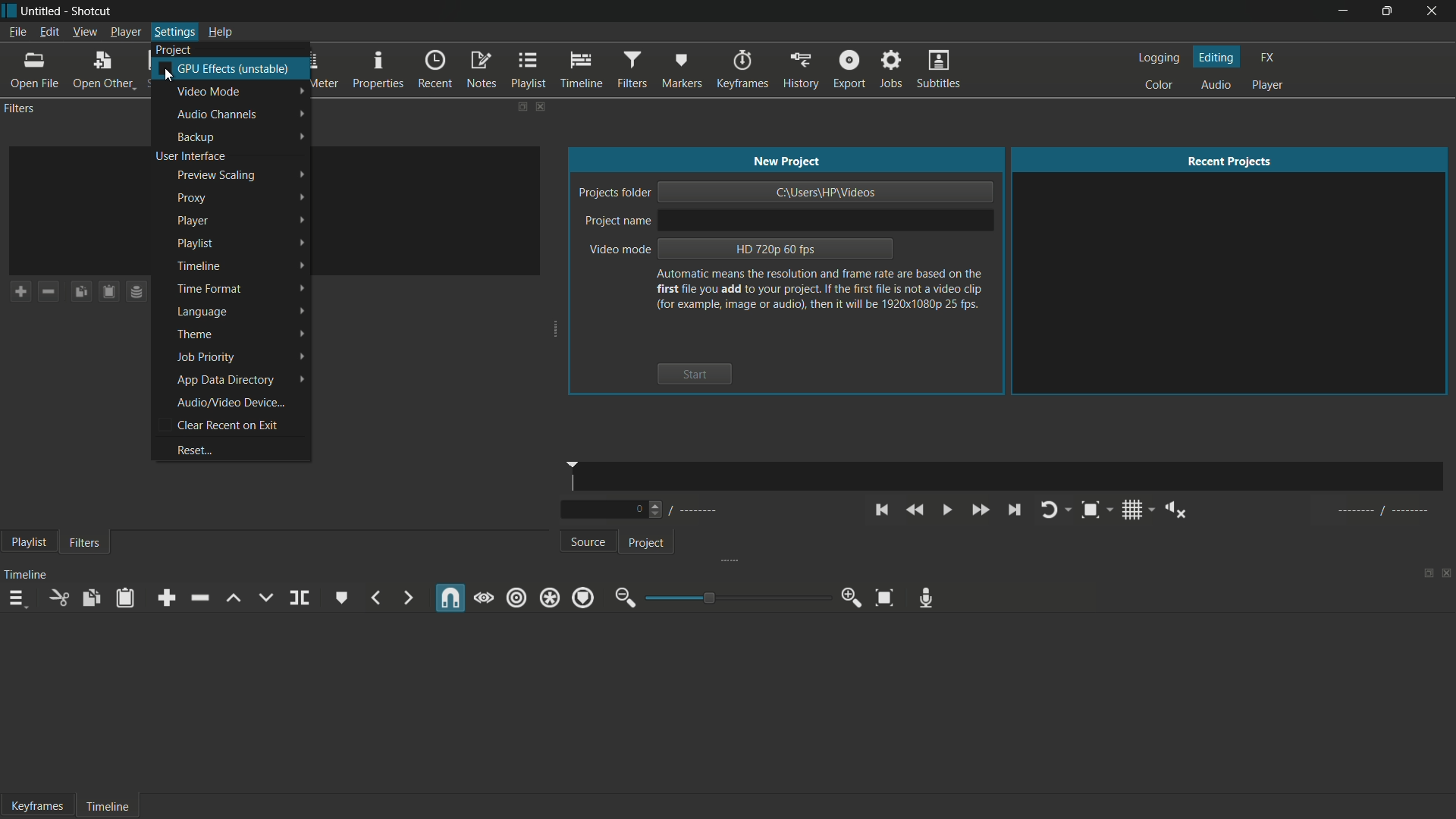  What do you see at coordinates (197, 243) in the screenshot?
I see `playlist` at bounding box center [197, 243].